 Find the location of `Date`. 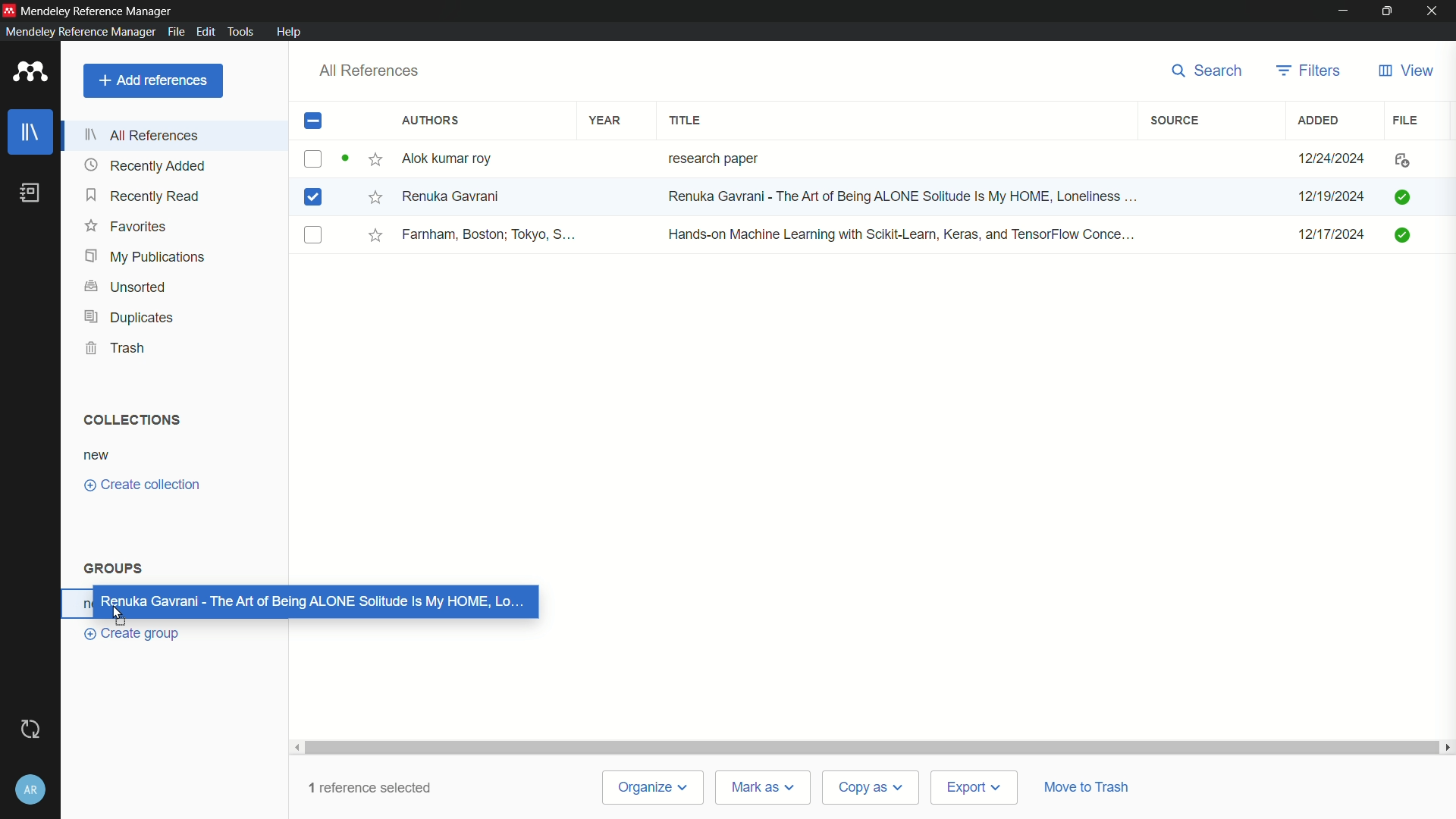

Date is located at coordinates (1334, 240).